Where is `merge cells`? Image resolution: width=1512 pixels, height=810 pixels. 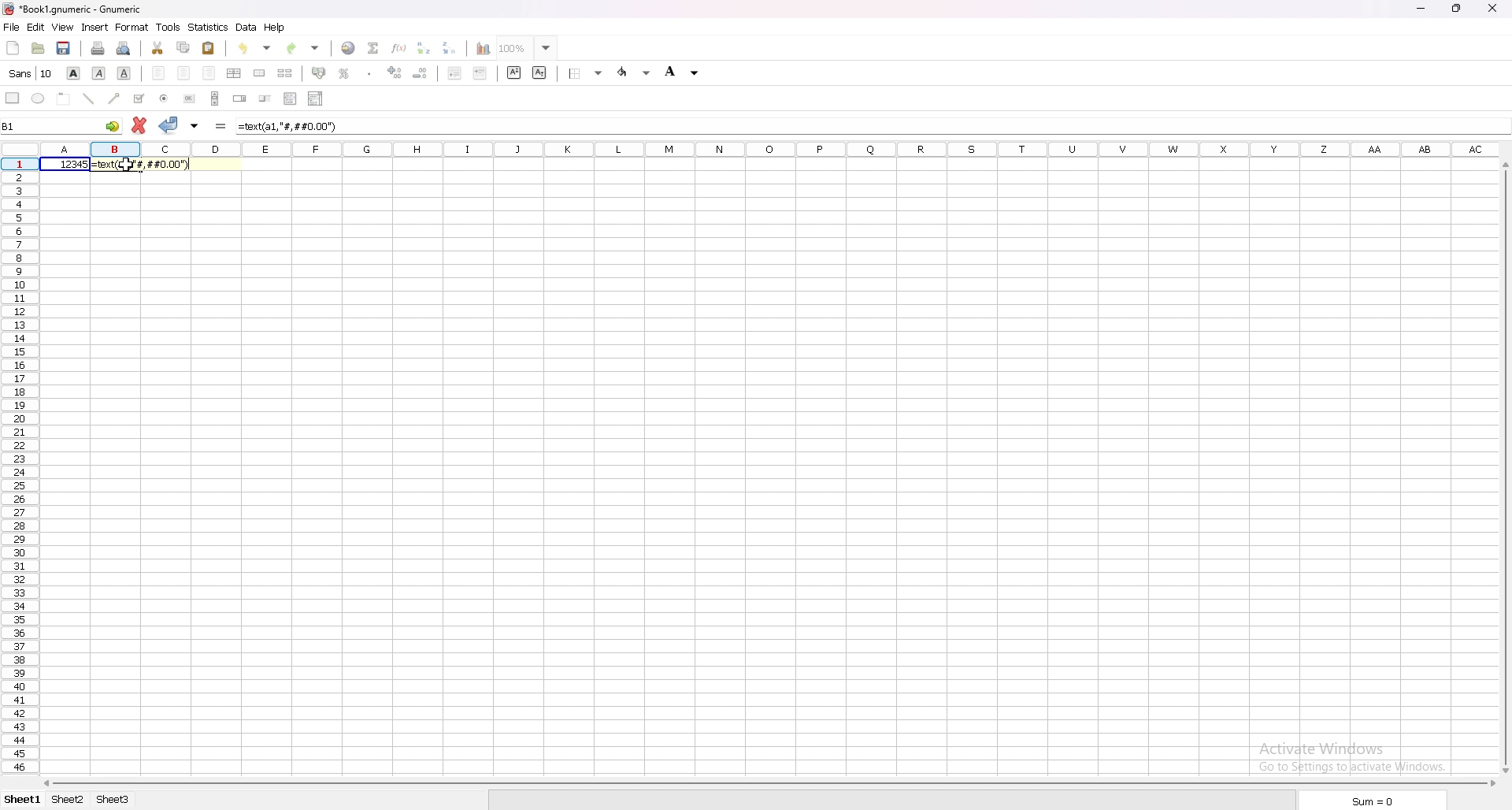 merge cells is located at coordinates (259, 73).